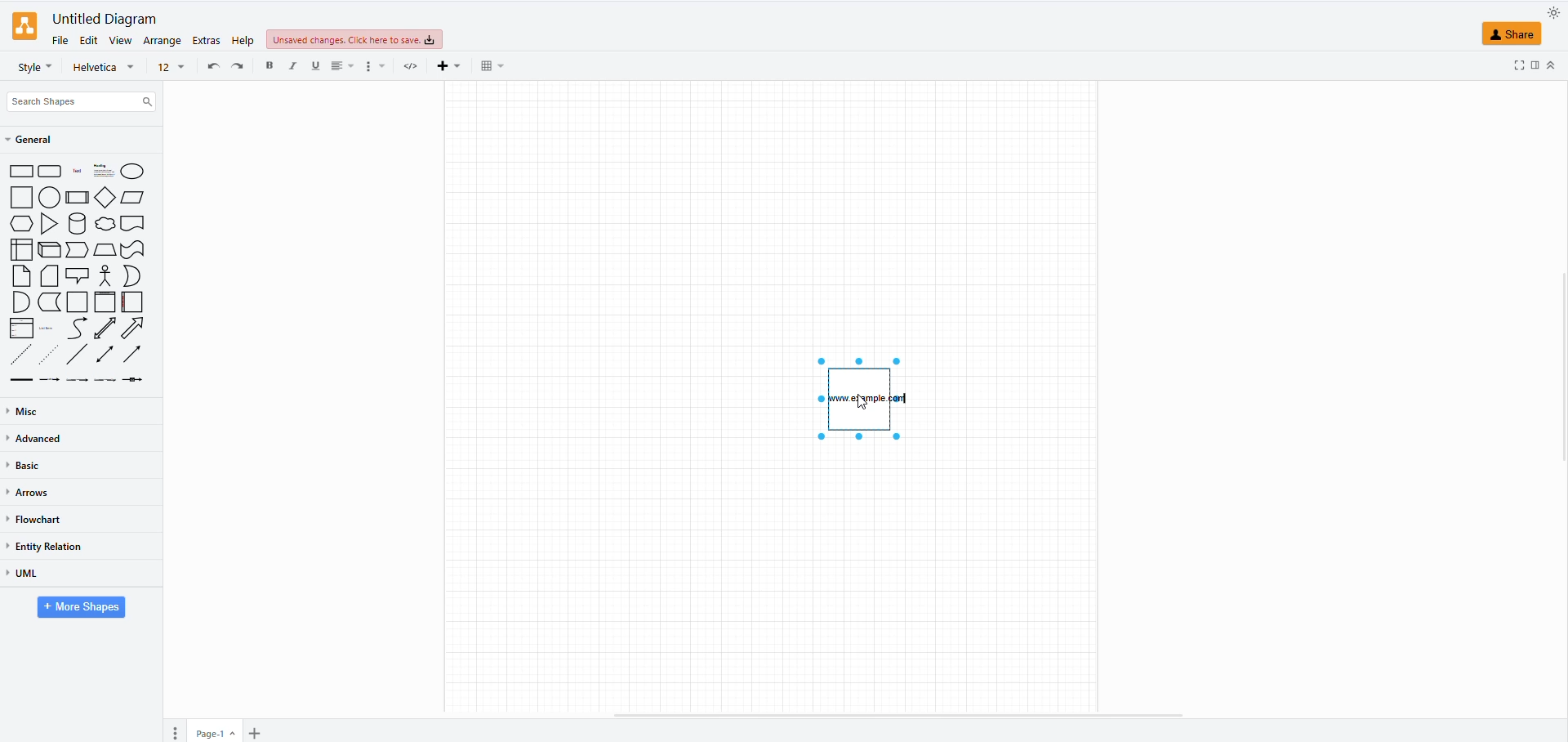 This screenshot has height=742, width=1568. I want to click on actor, so click(105, 275).